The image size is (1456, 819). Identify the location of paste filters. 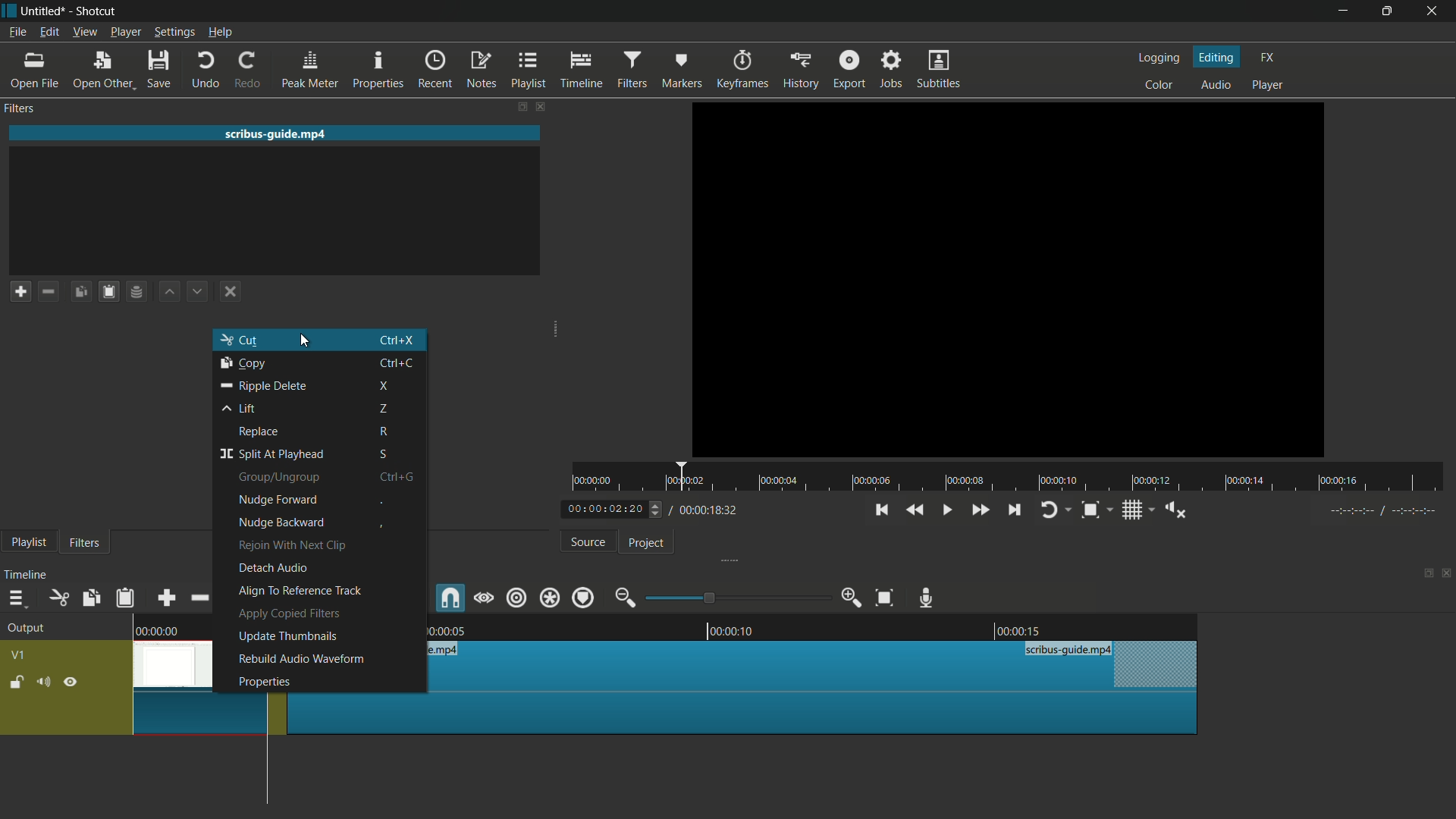
(109, 292).